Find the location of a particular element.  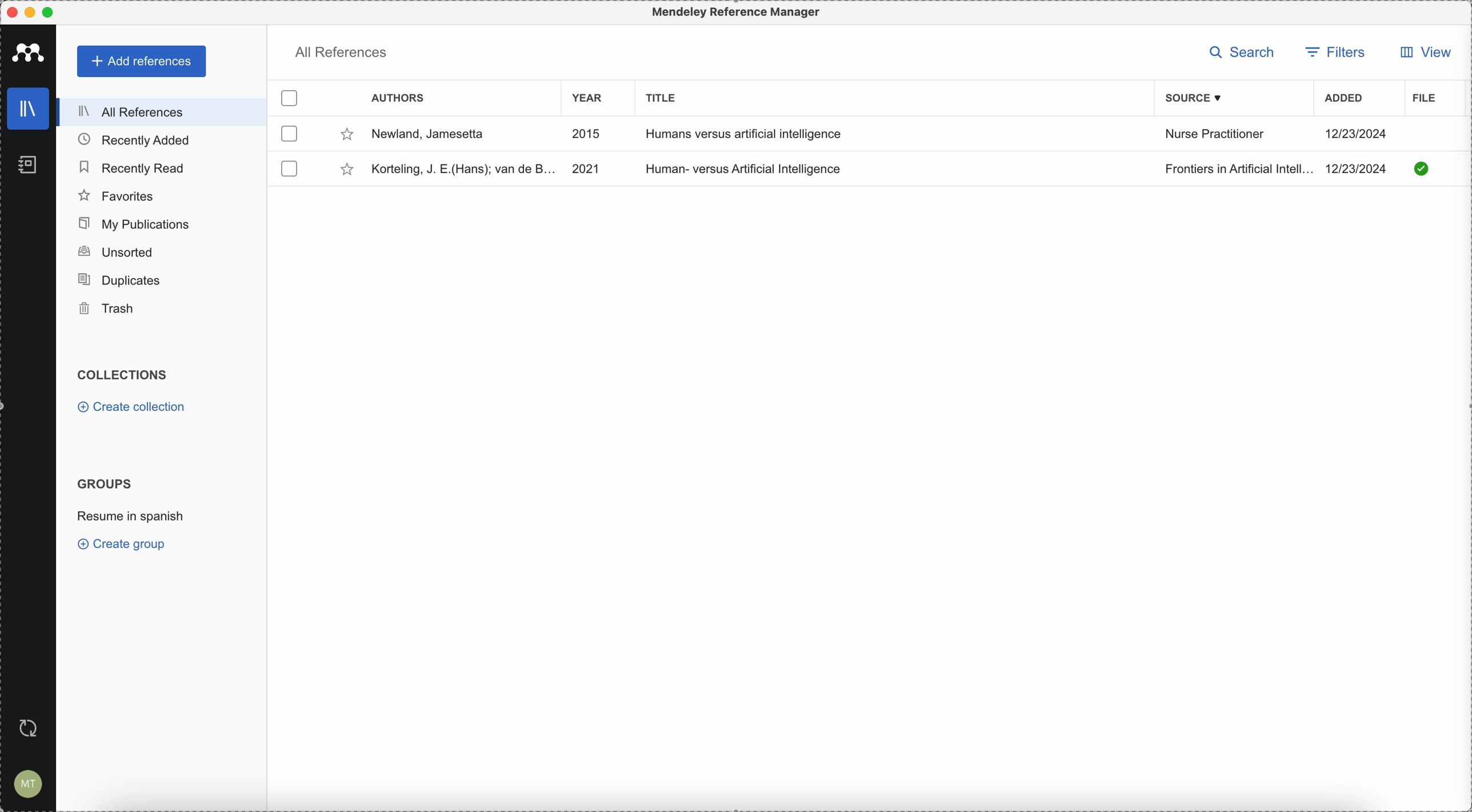

groups is located at coordinates (104, 483).